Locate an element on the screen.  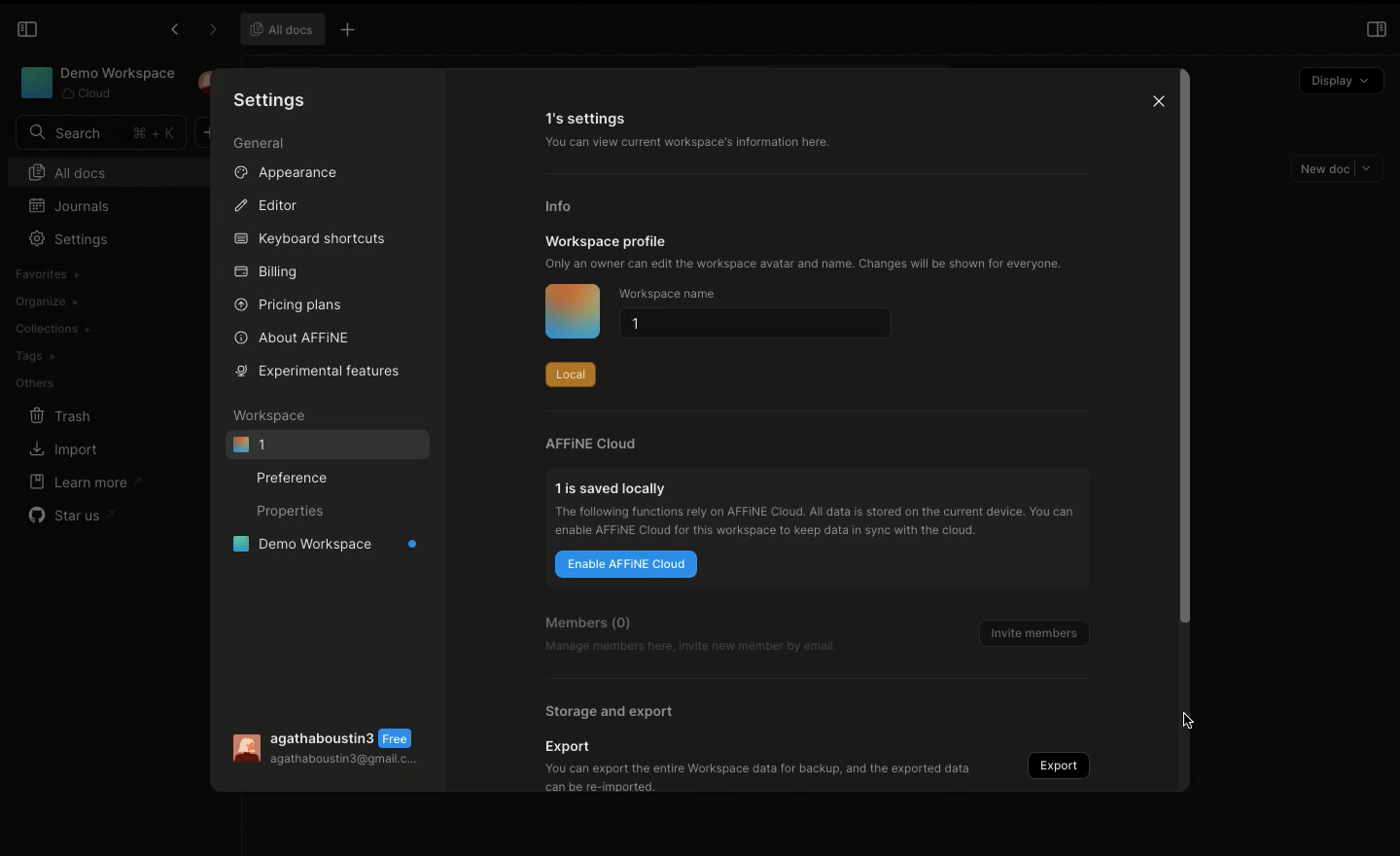
New Tab is located at coordinates (354, 31).